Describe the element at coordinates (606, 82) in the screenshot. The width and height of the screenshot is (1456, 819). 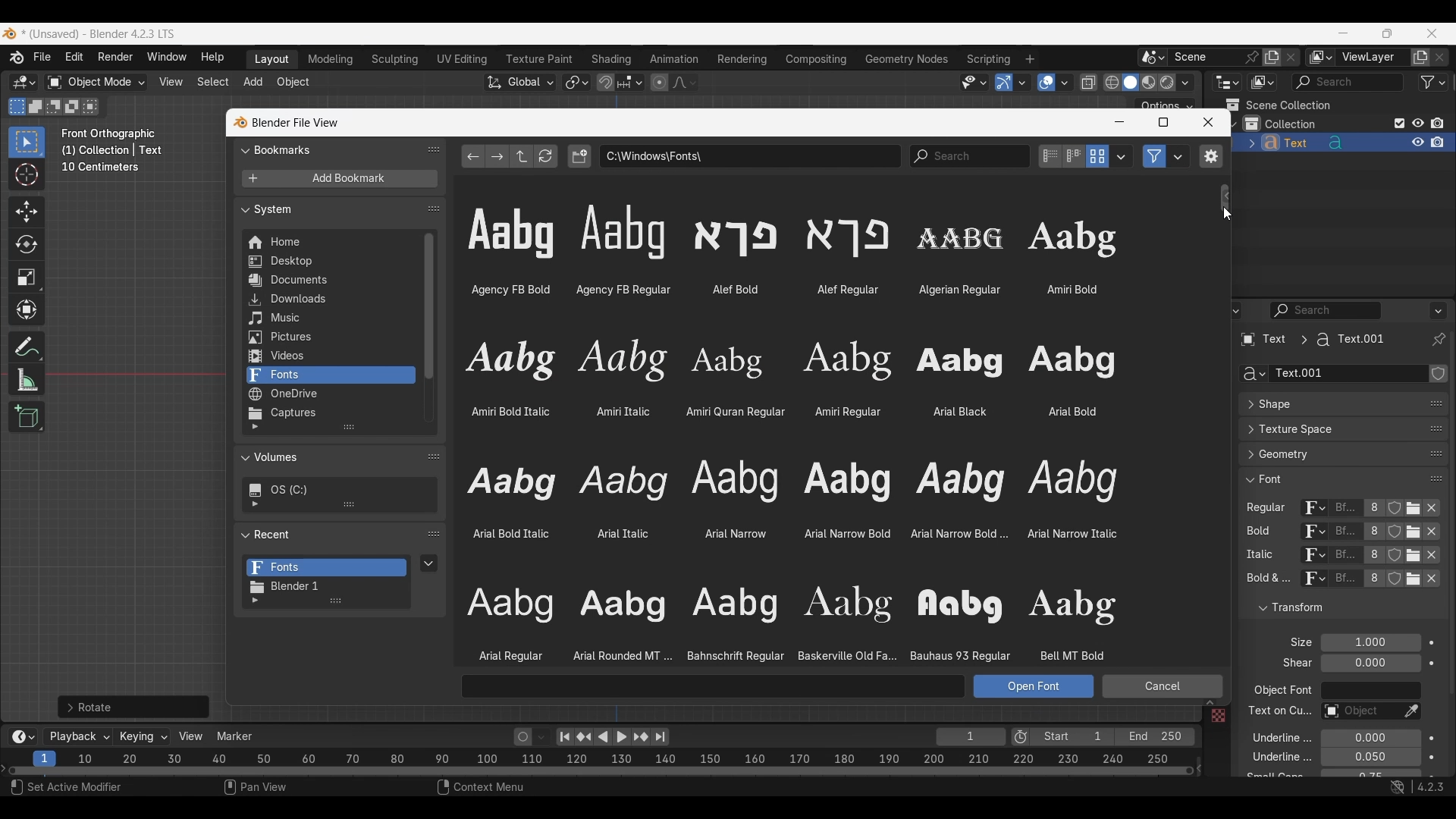
I see `Snap during transform` at that location.